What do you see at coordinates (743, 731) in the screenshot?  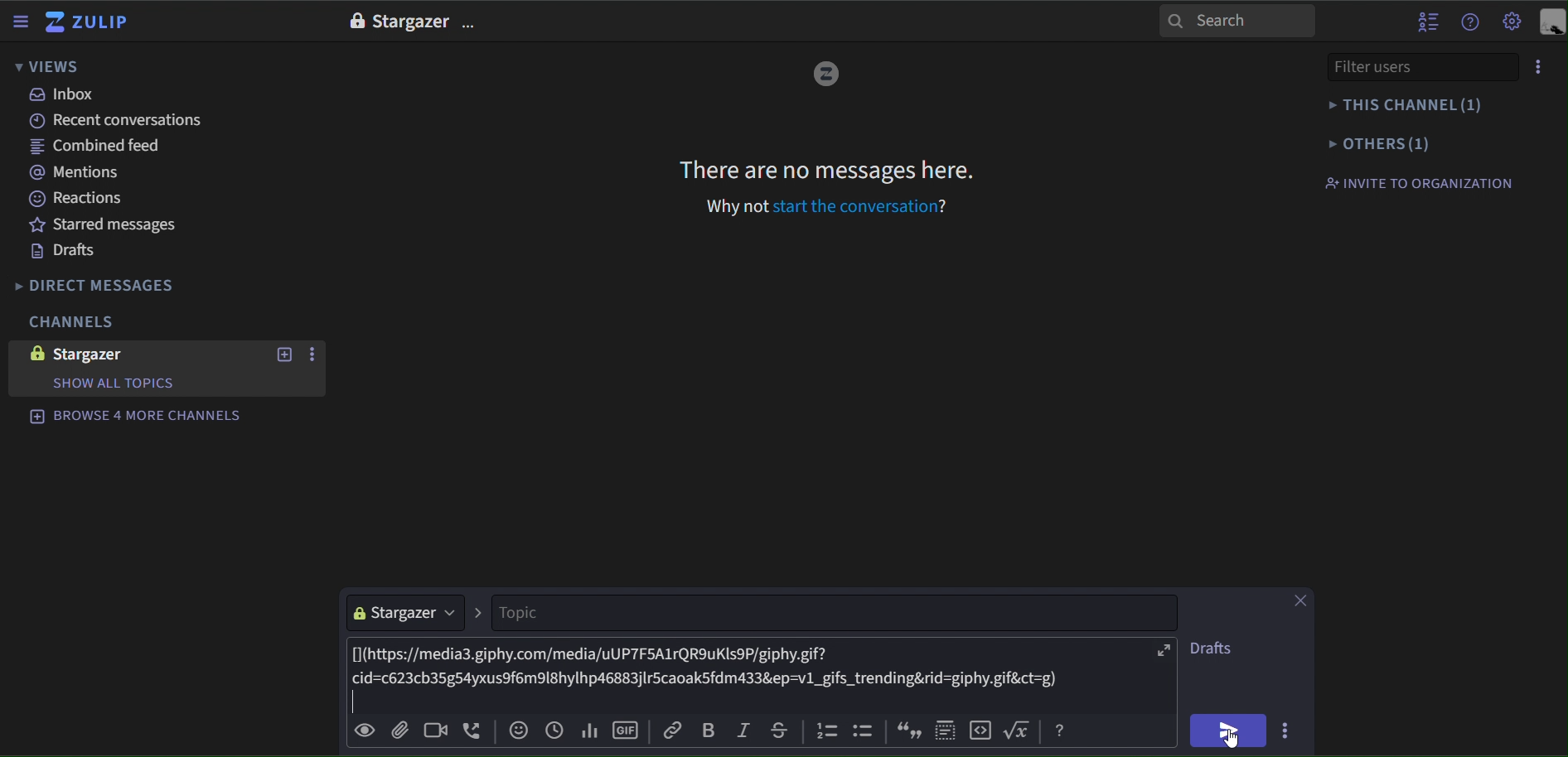 I see `italic` at bounding box center [743, 731].